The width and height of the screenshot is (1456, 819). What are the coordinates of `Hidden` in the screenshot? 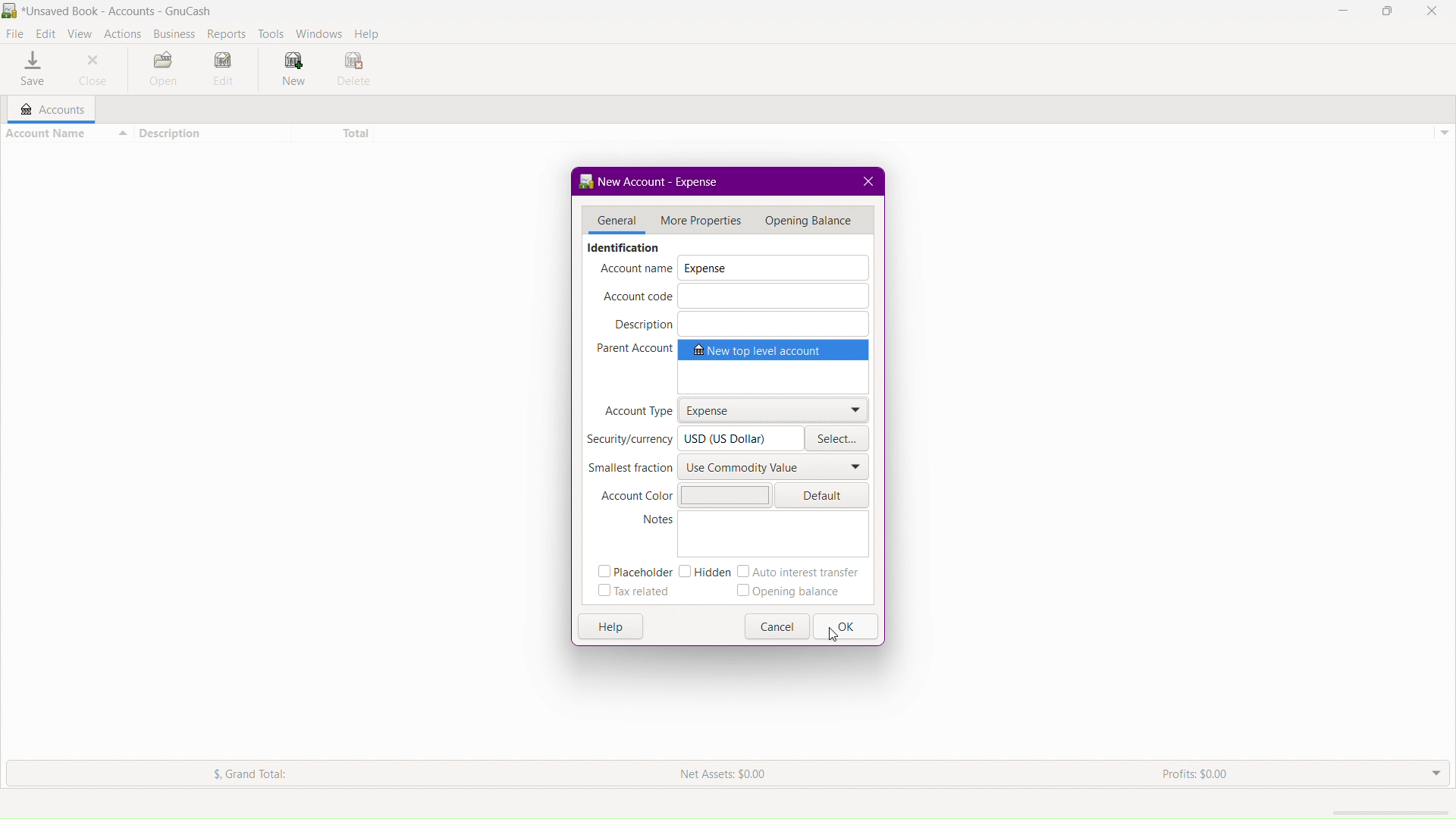 It's located at (703, 572).